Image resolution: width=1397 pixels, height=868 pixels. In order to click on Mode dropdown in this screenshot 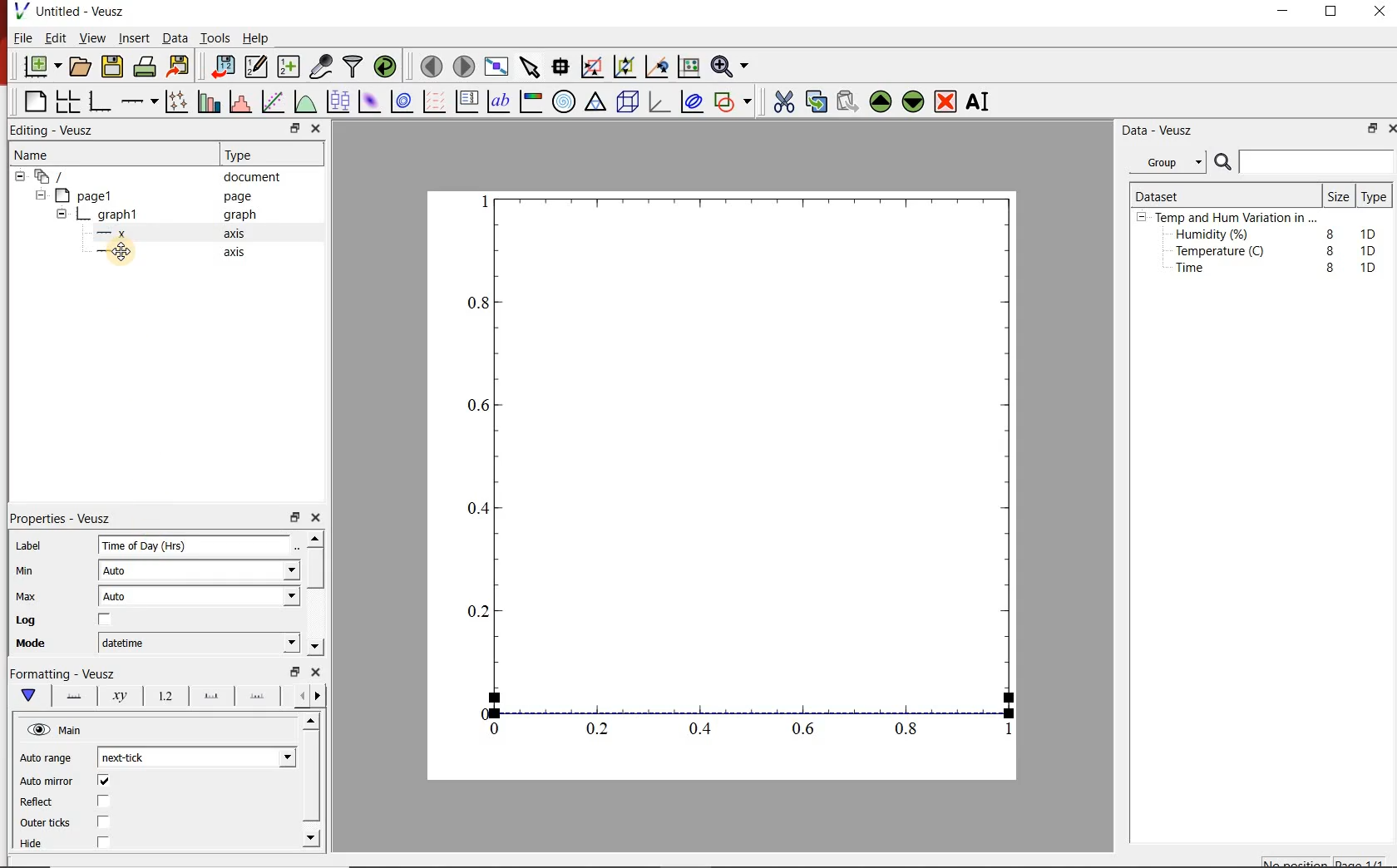, I will do `click(272, 643)`.